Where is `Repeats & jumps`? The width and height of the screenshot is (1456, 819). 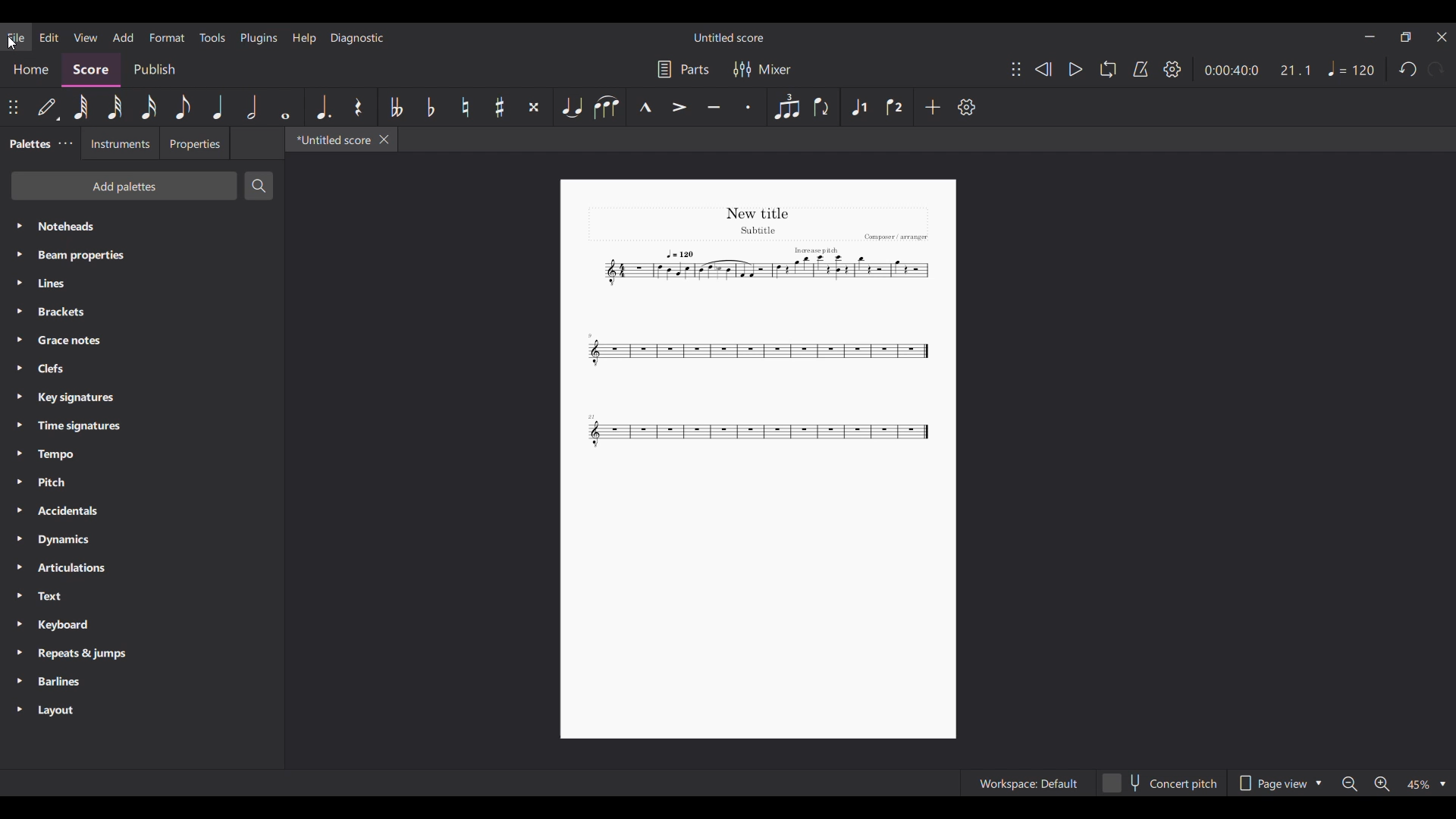
Repeats & jumps is located at coordinates (143, 654).